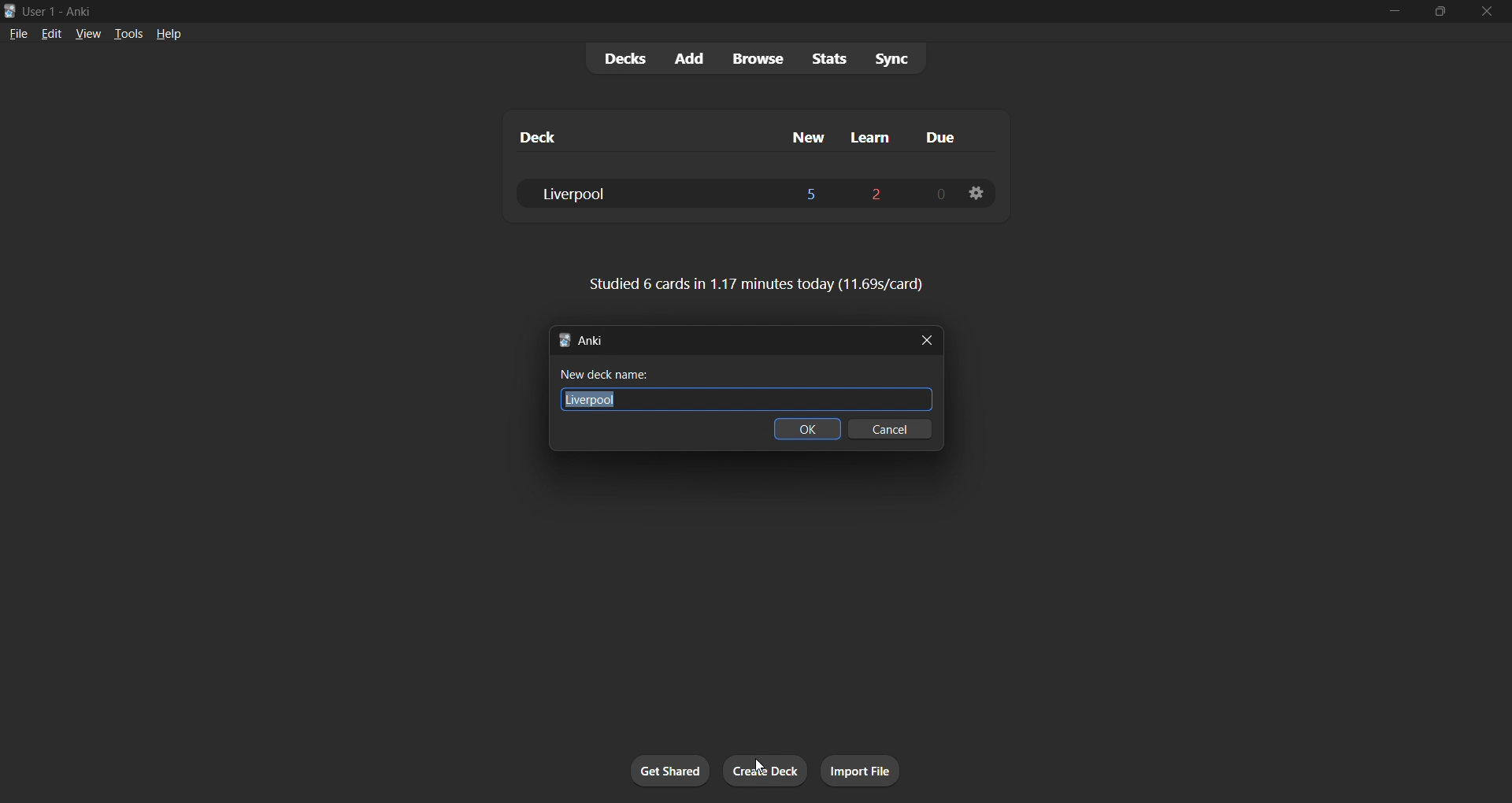 The height and width of the screenshot is (803, 1512). Describe the element at coordinates (929, 340) in the screenshot. I see `close` at that location.